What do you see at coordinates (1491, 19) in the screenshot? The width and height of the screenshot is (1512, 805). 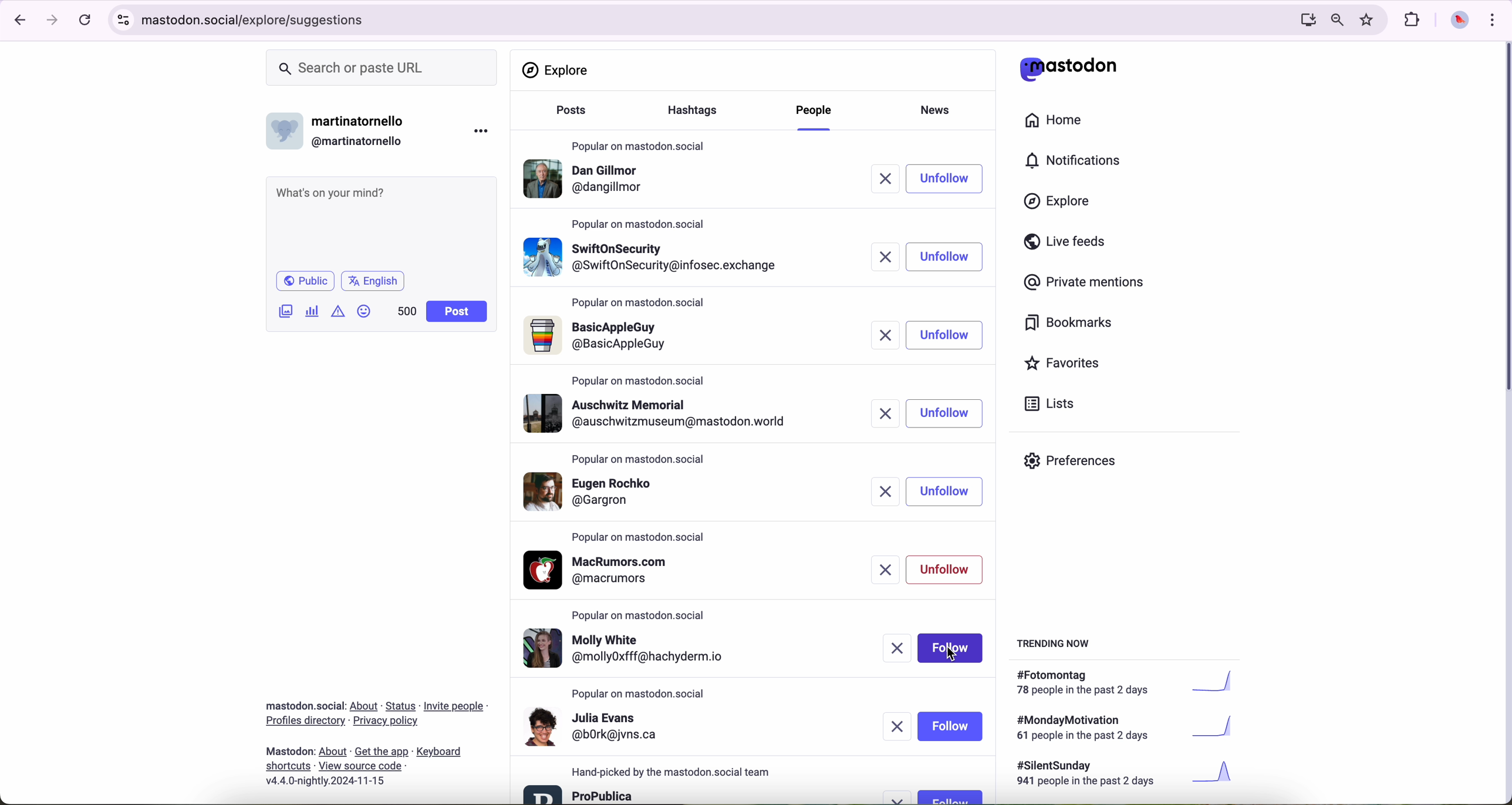 I see `customize and control Google Chrome` at bounding box center [1491, 19].